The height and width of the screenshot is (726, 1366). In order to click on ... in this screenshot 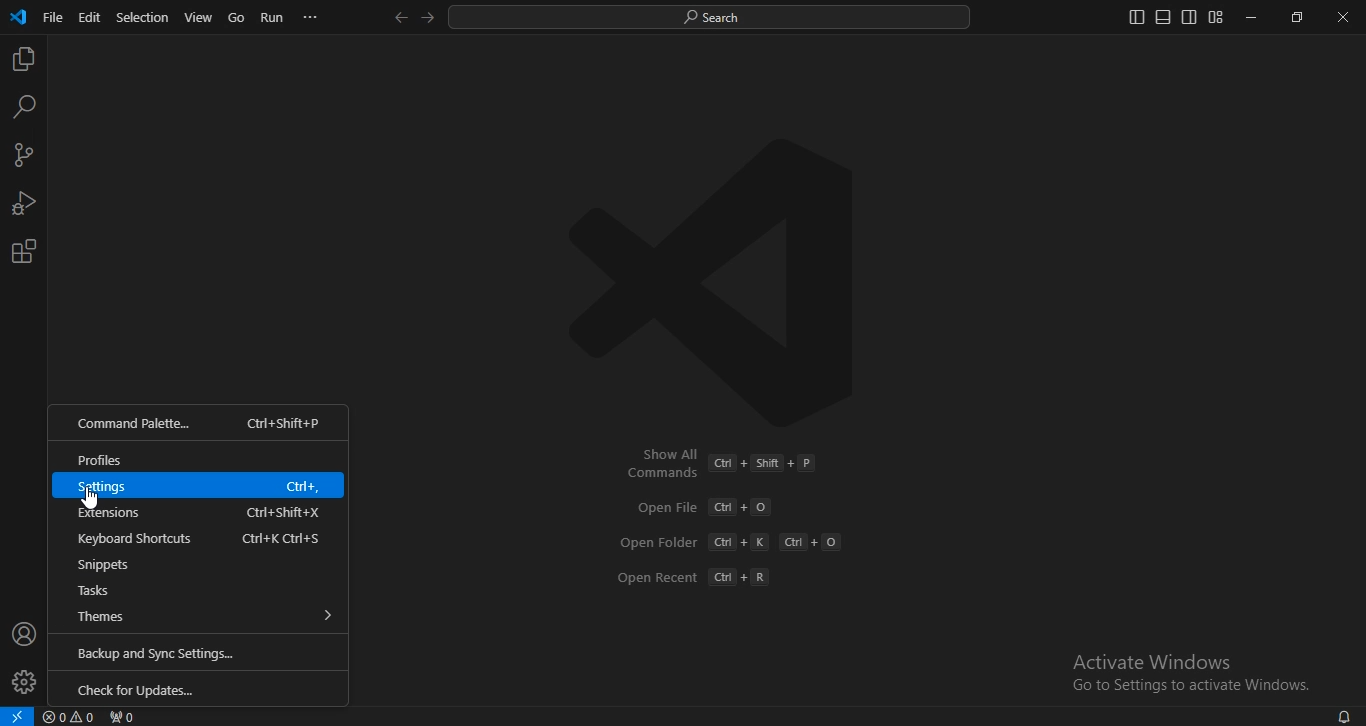, I will do `click(311, 17)`.